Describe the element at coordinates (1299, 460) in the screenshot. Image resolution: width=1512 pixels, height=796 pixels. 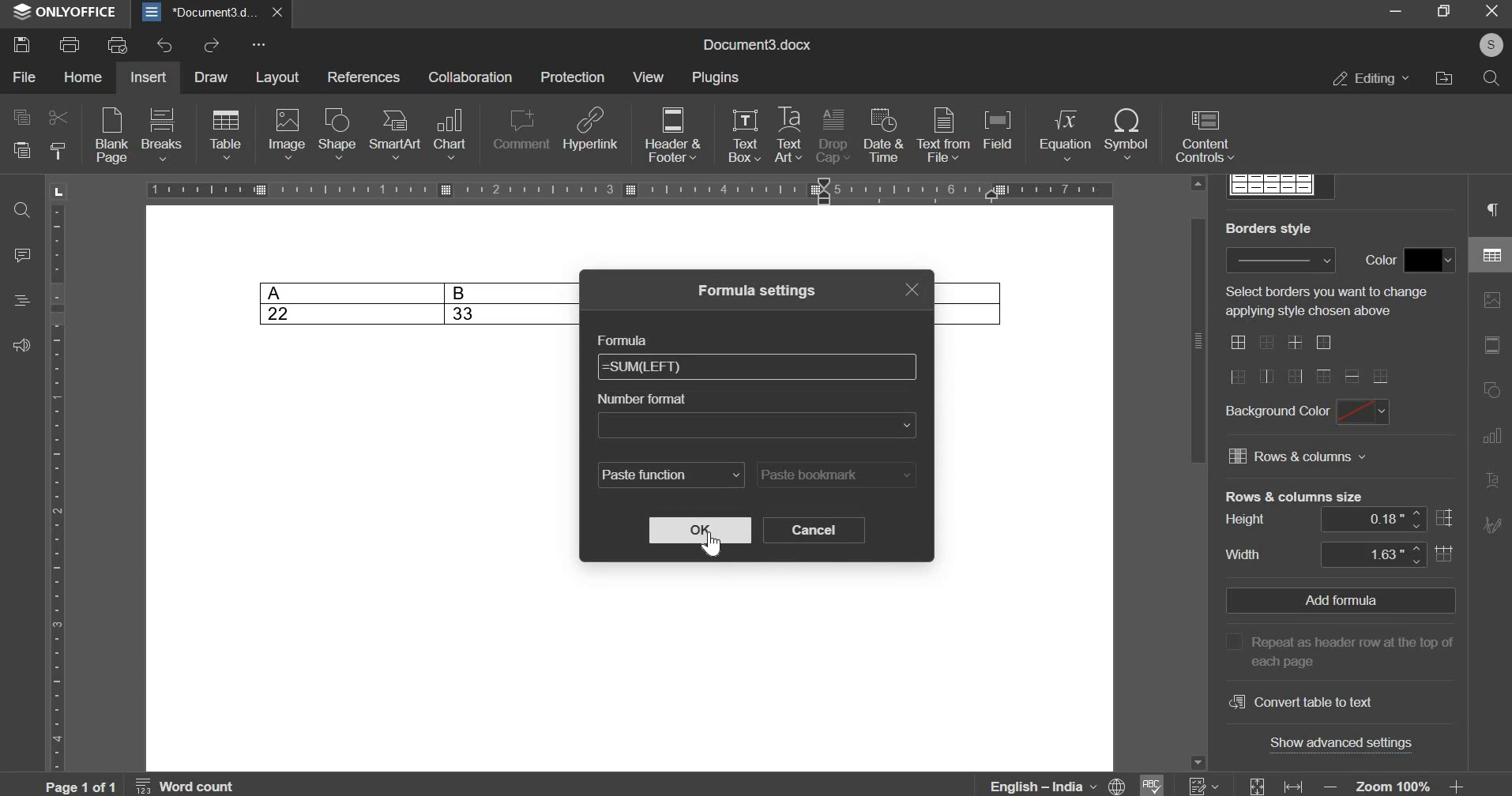
I see `rows and columns` at that location.